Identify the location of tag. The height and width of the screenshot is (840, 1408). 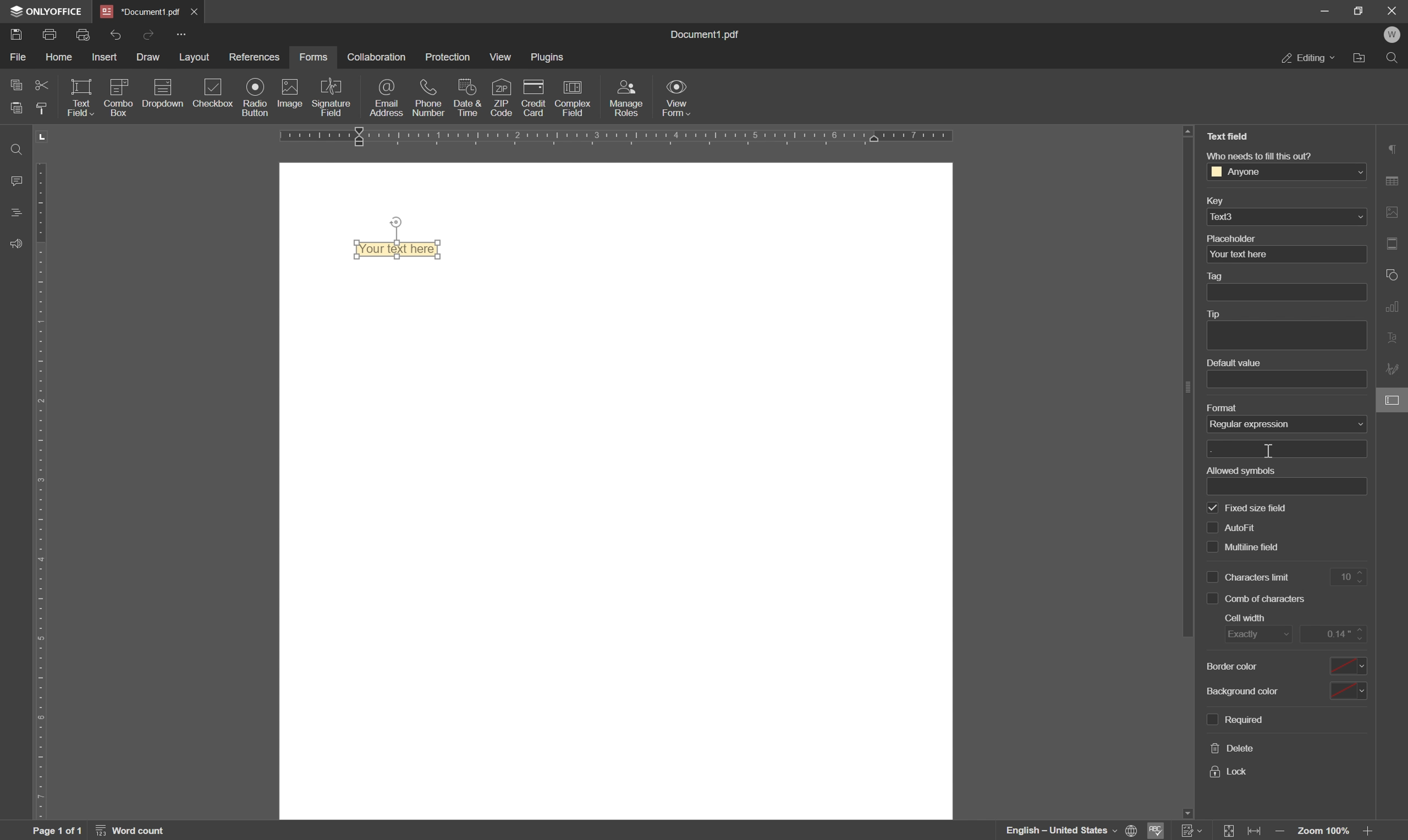
(1218, 277).